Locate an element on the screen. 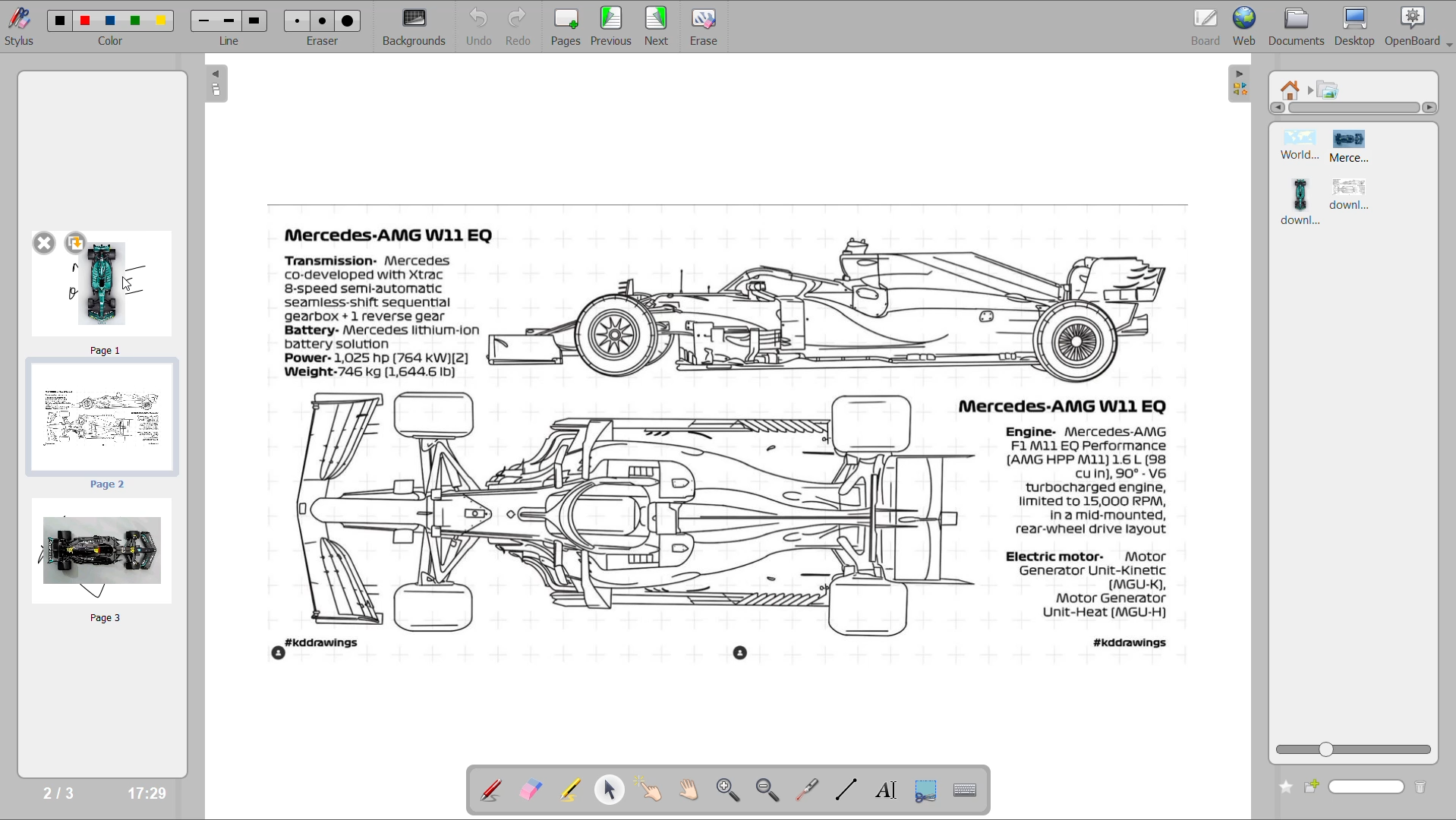 The image size is (1456, 820). Small eraser is located at coordinates (297, 21).